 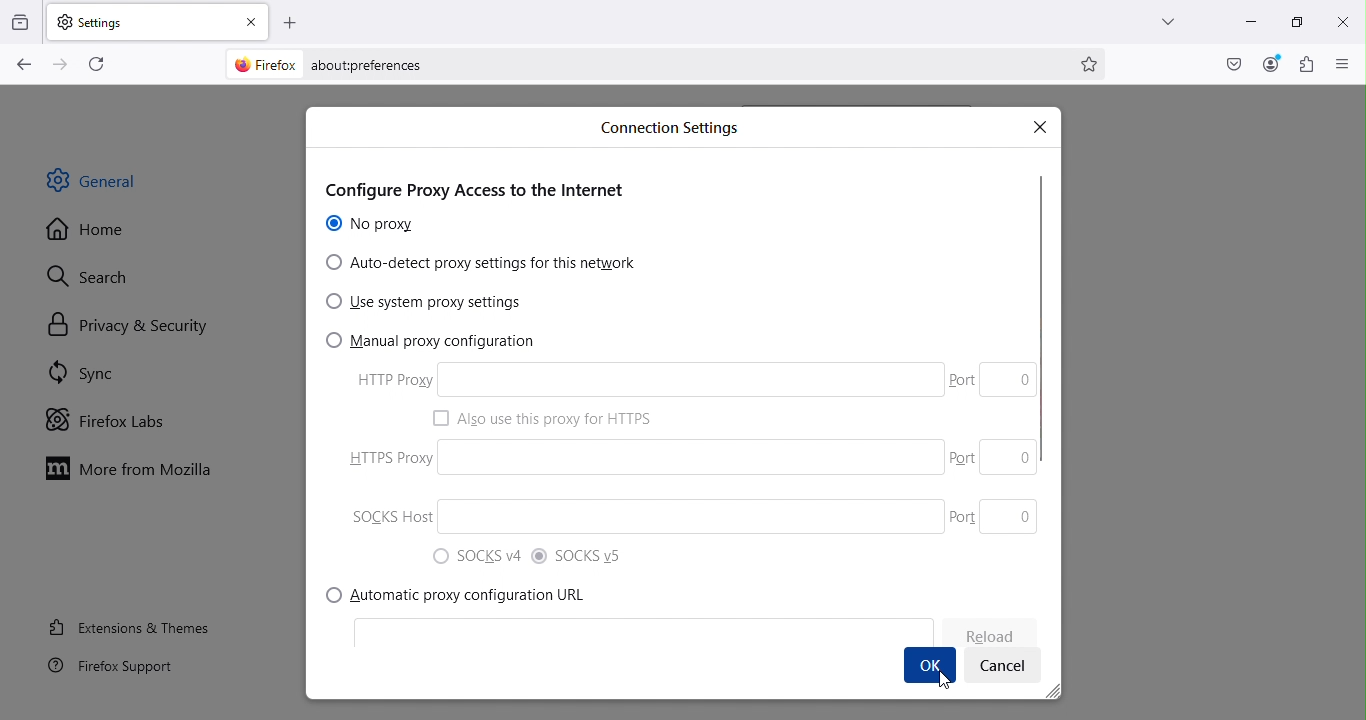 I want to click on More from Mozilla, so click(x=135, y=473).